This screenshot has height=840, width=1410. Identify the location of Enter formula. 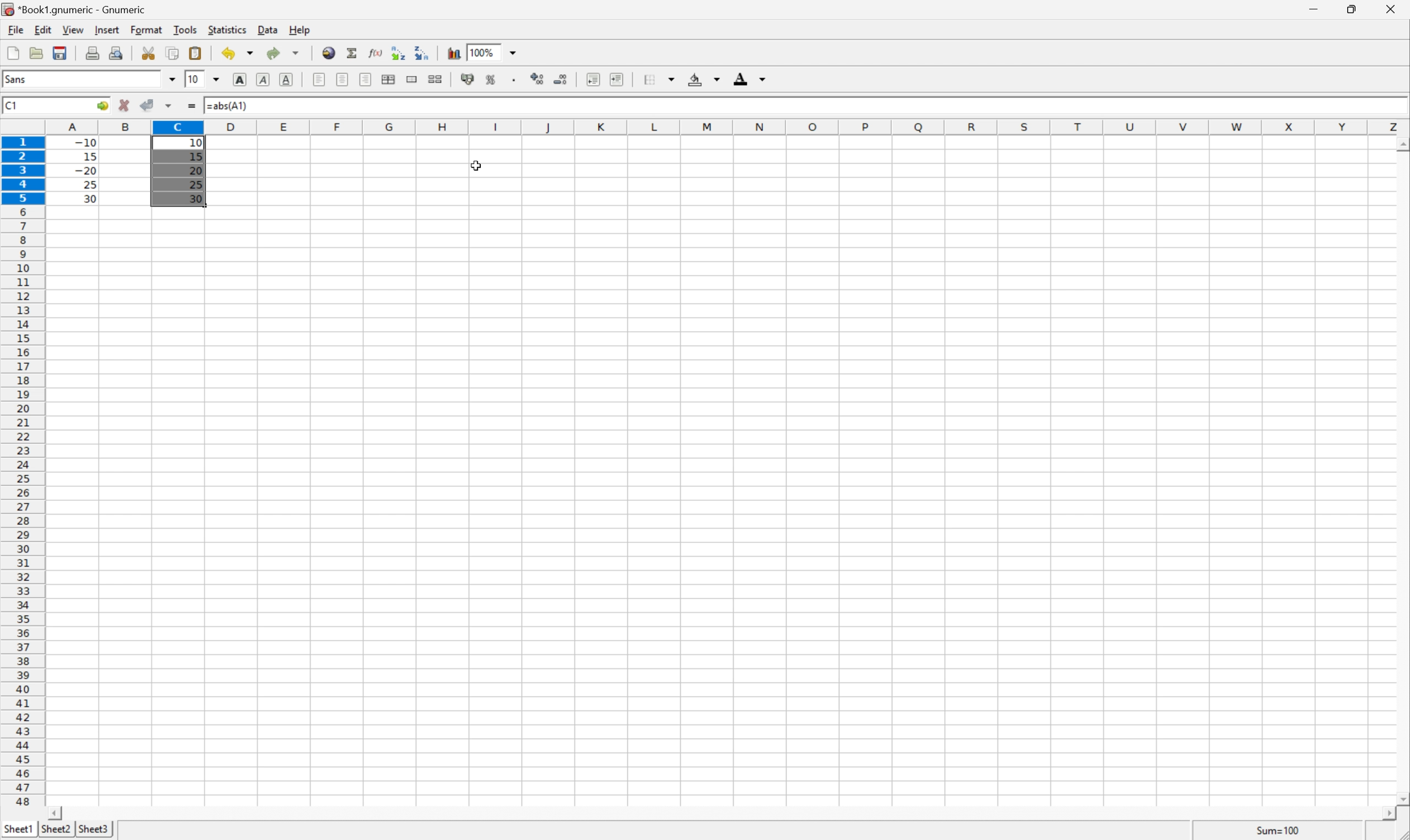
(194, 107).